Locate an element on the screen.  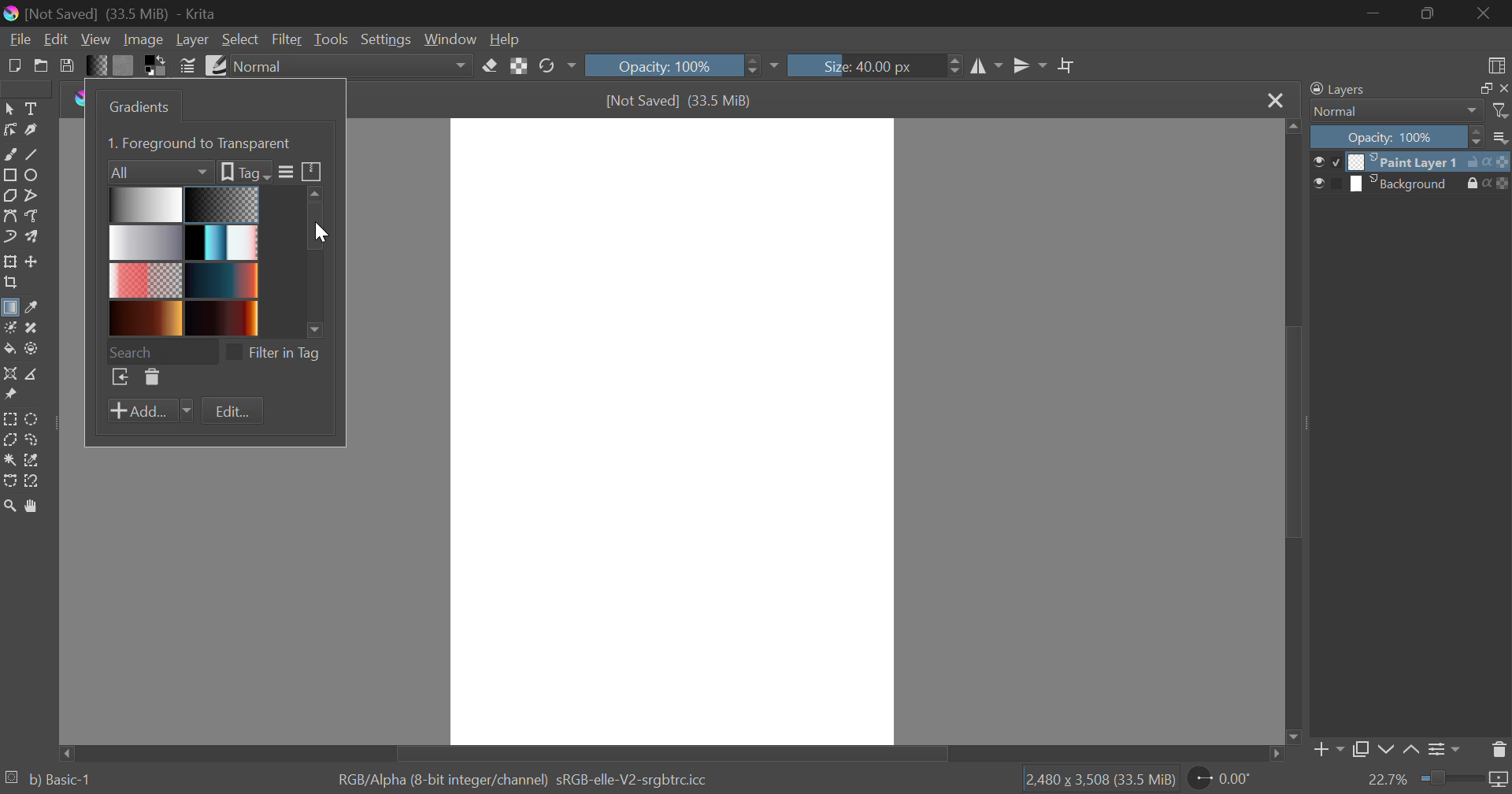
Assistant Tool is located at coordinates (10, 375).